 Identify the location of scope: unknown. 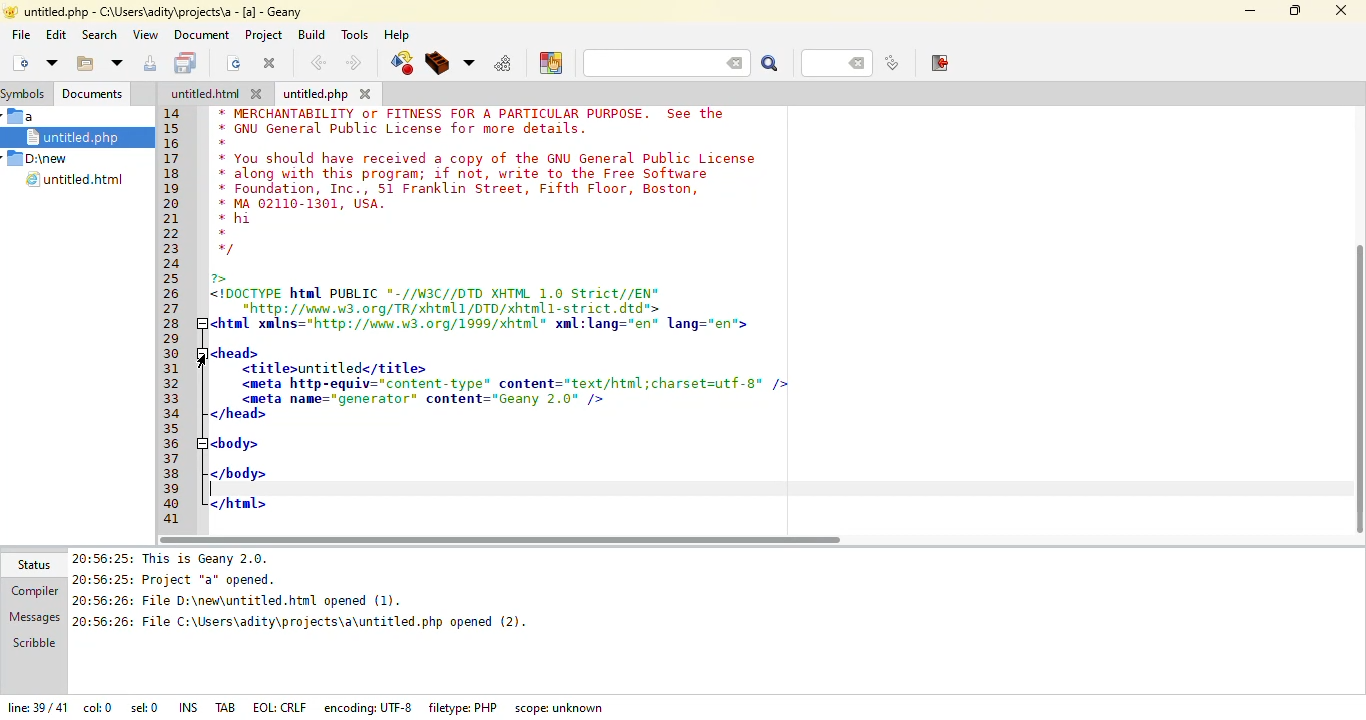
(565, 709).